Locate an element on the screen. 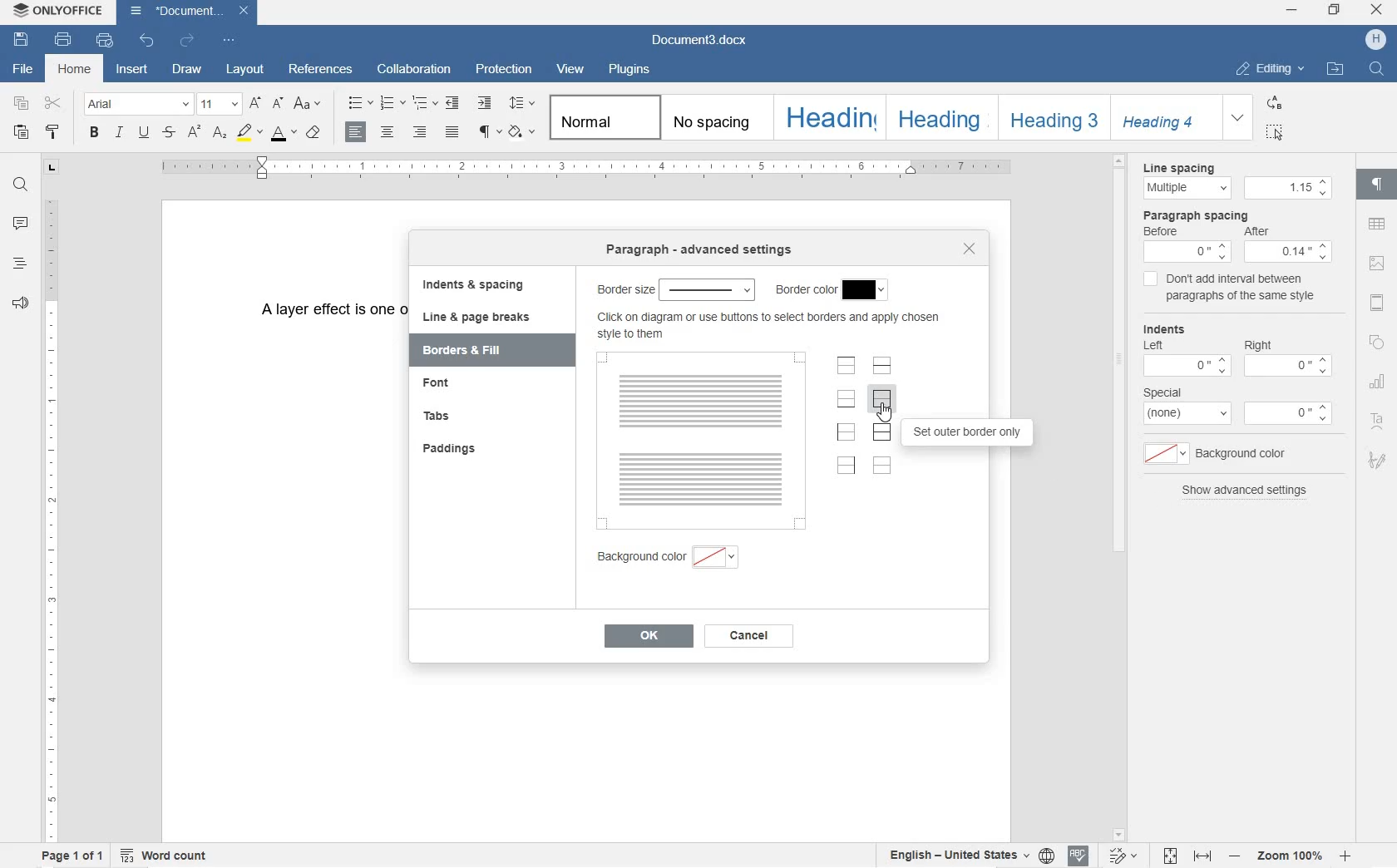 The image size is (1397, 868). borders preview is located at coordinates (699, 440).